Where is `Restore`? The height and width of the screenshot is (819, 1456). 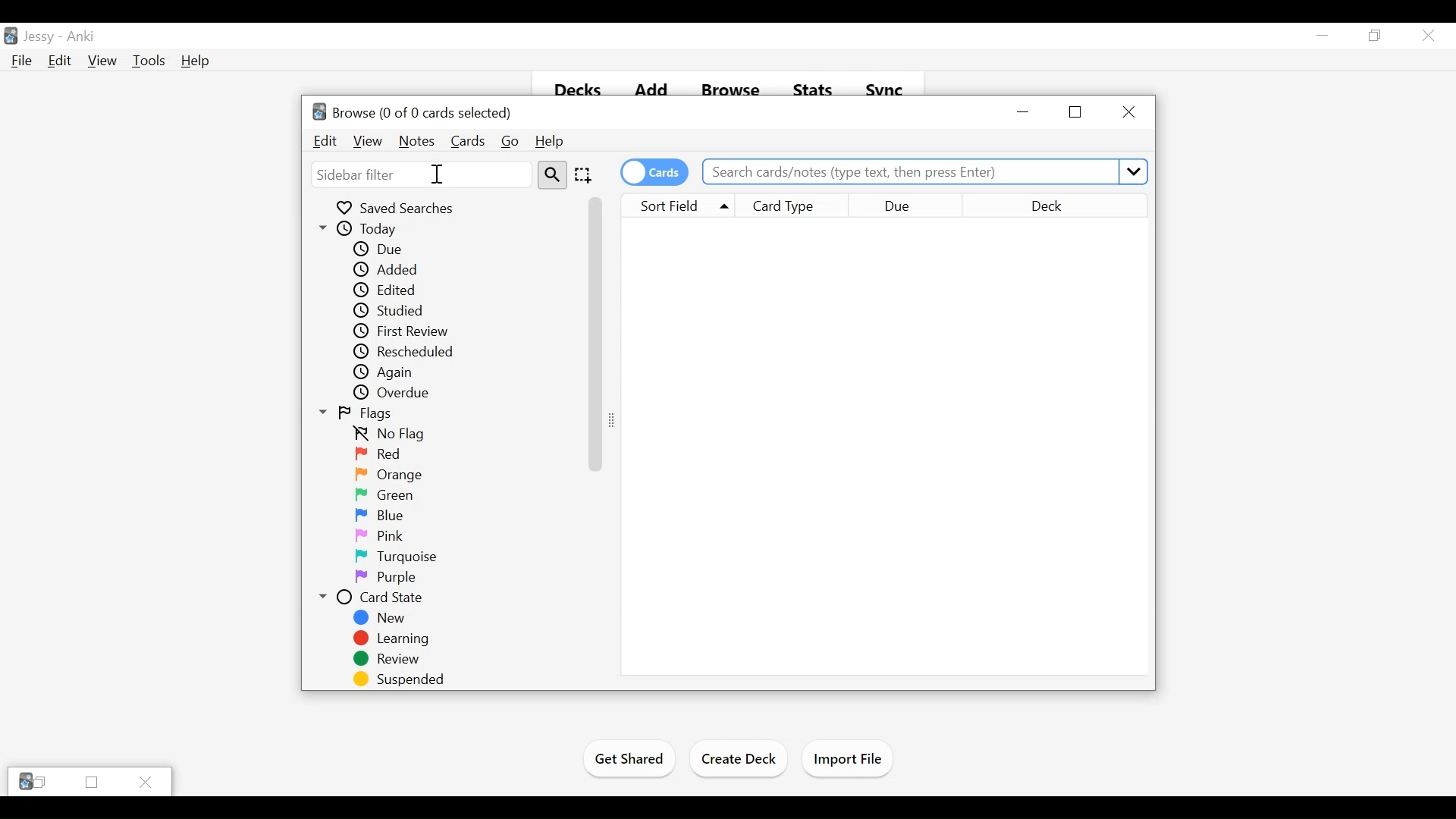
Restore is located at coordinates (1373, 36).